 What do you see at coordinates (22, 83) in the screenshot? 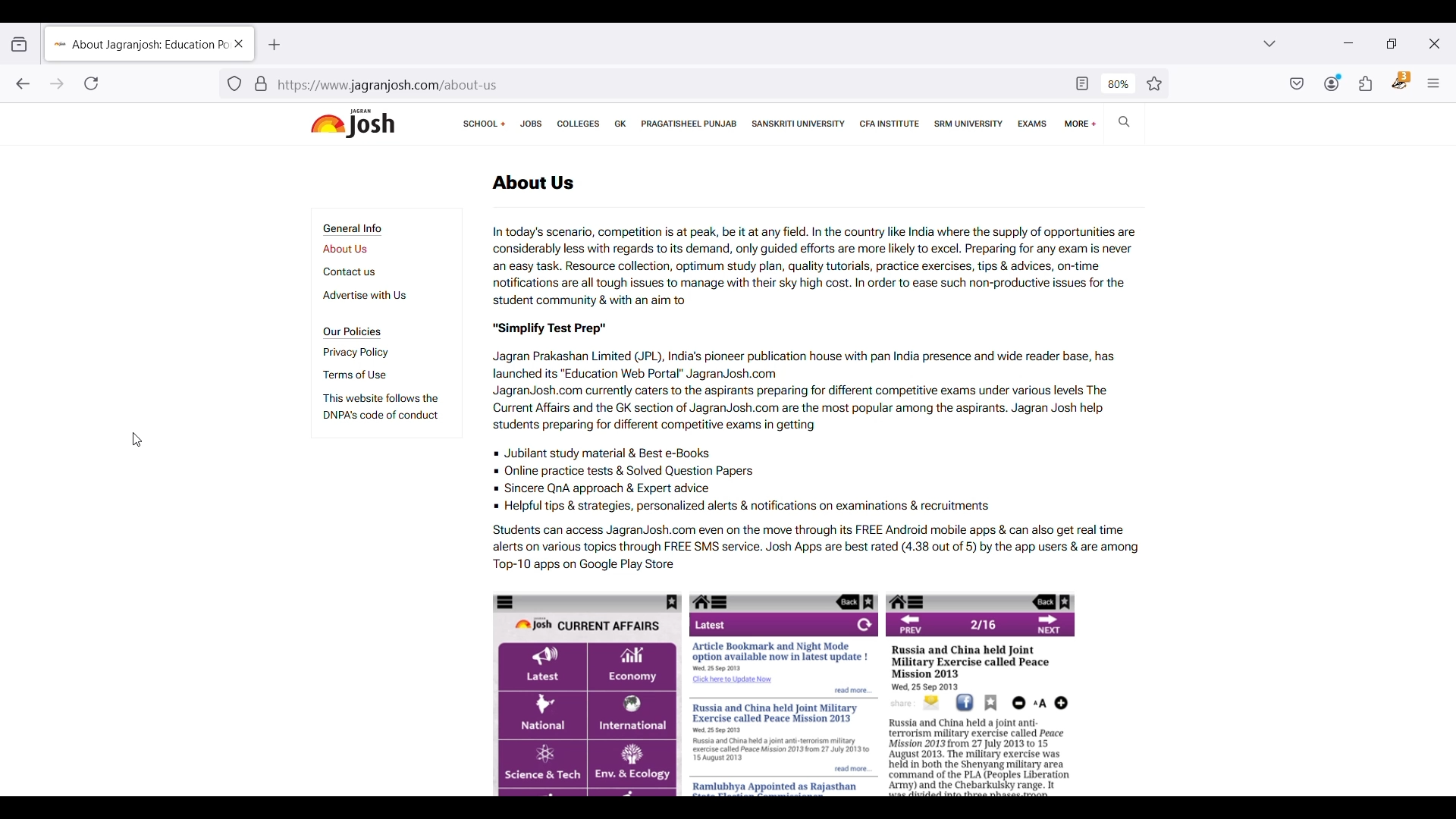
I see `Go back one page` at bounding box center [22, 83].